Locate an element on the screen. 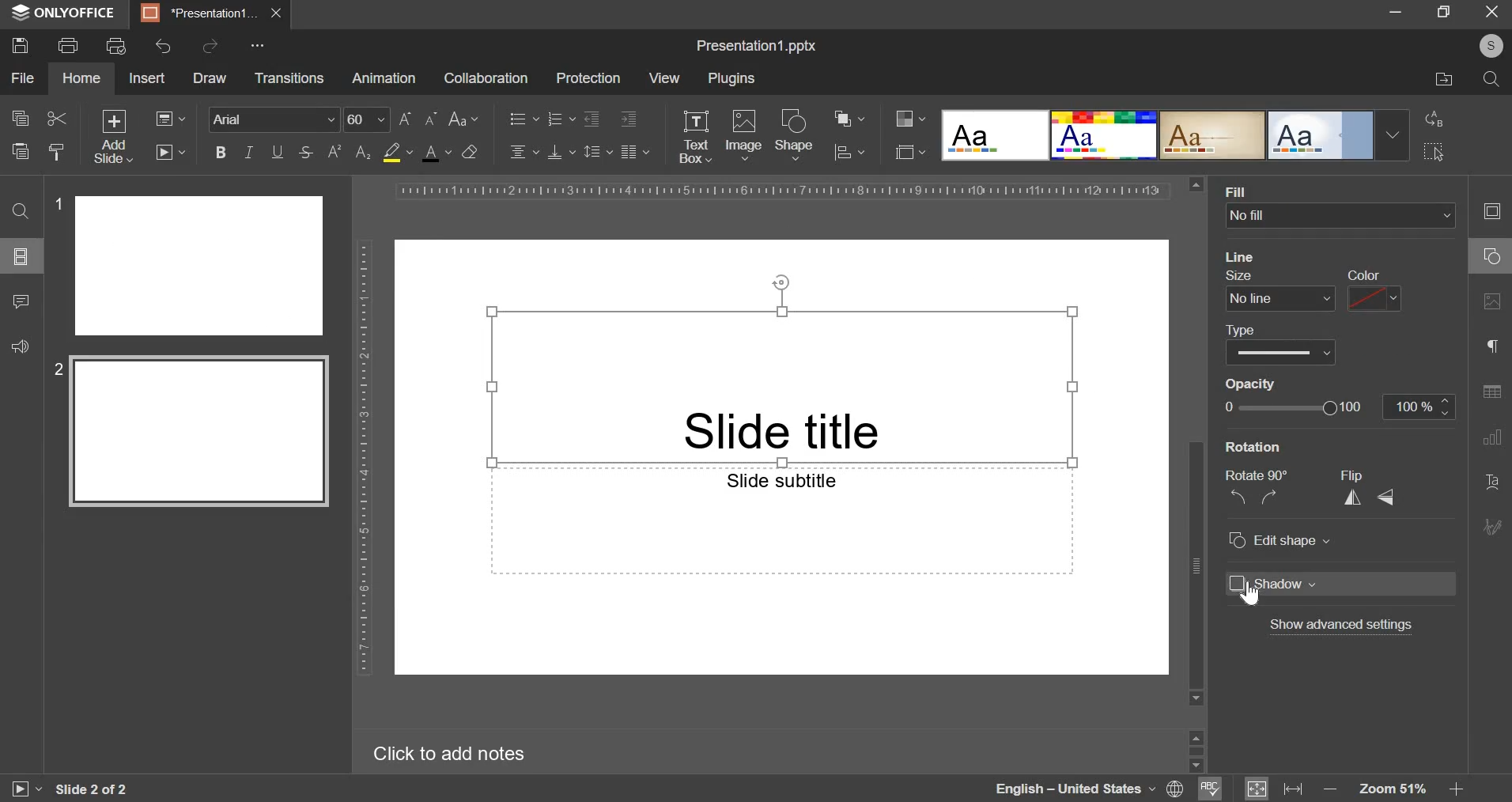 The height and width of the screenshot is (802, 1512). slideshow is located at coordinates (169, 151).